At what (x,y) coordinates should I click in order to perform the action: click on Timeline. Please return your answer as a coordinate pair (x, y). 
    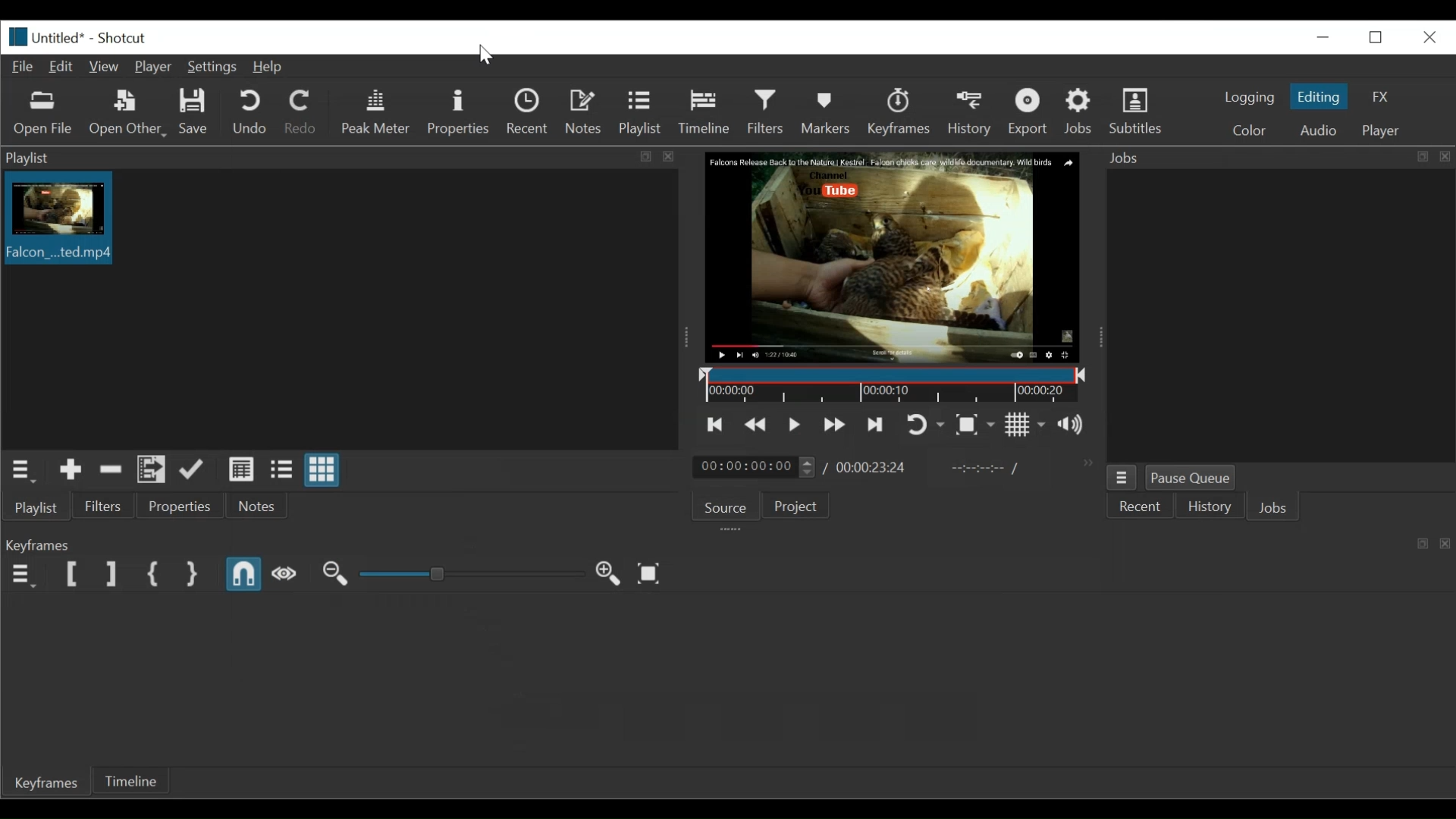
    Looking at the image, I should click on (706, 111).